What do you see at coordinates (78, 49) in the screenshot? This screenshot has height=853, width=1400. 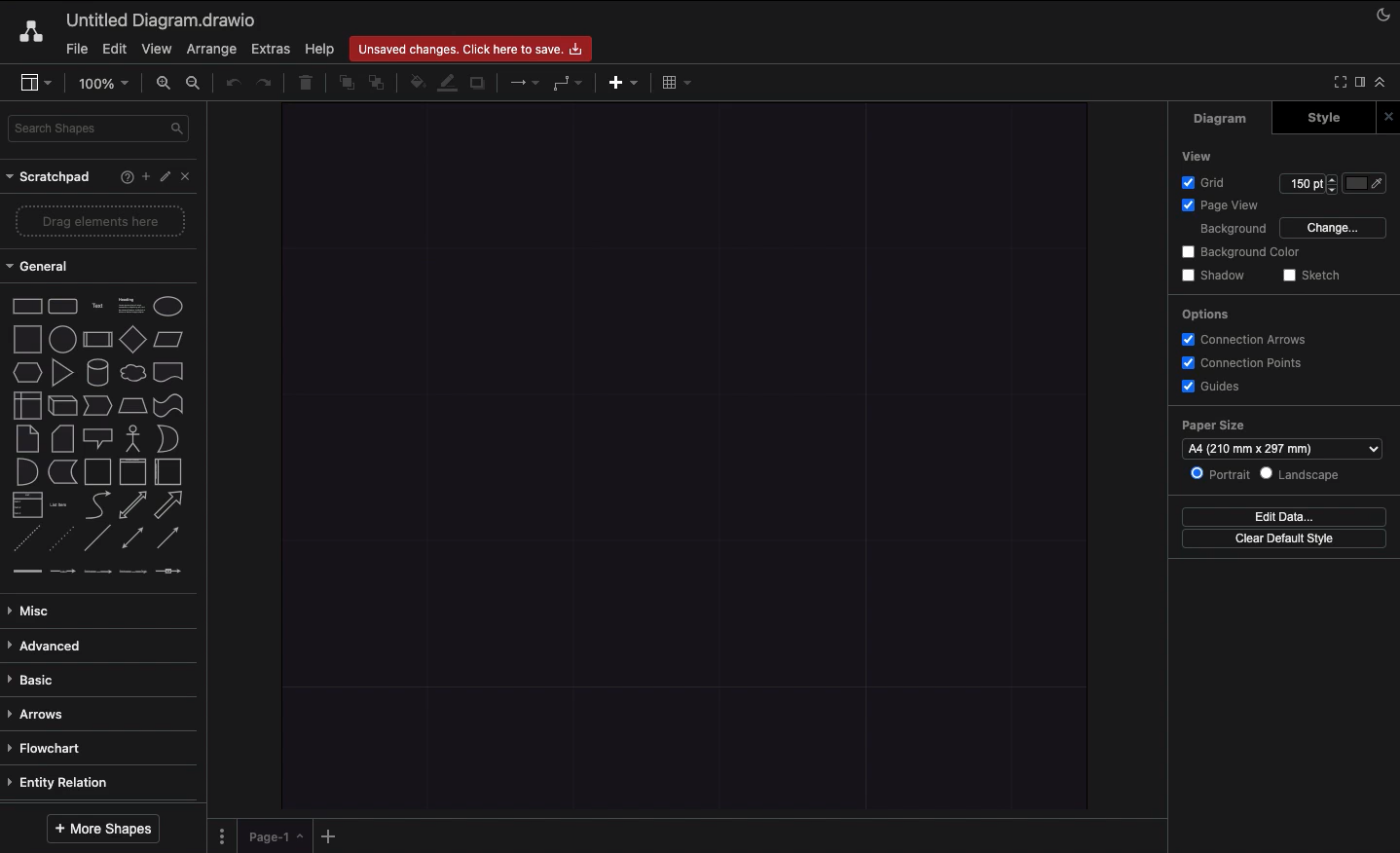 I see `File` at bounding box center [78, 49].